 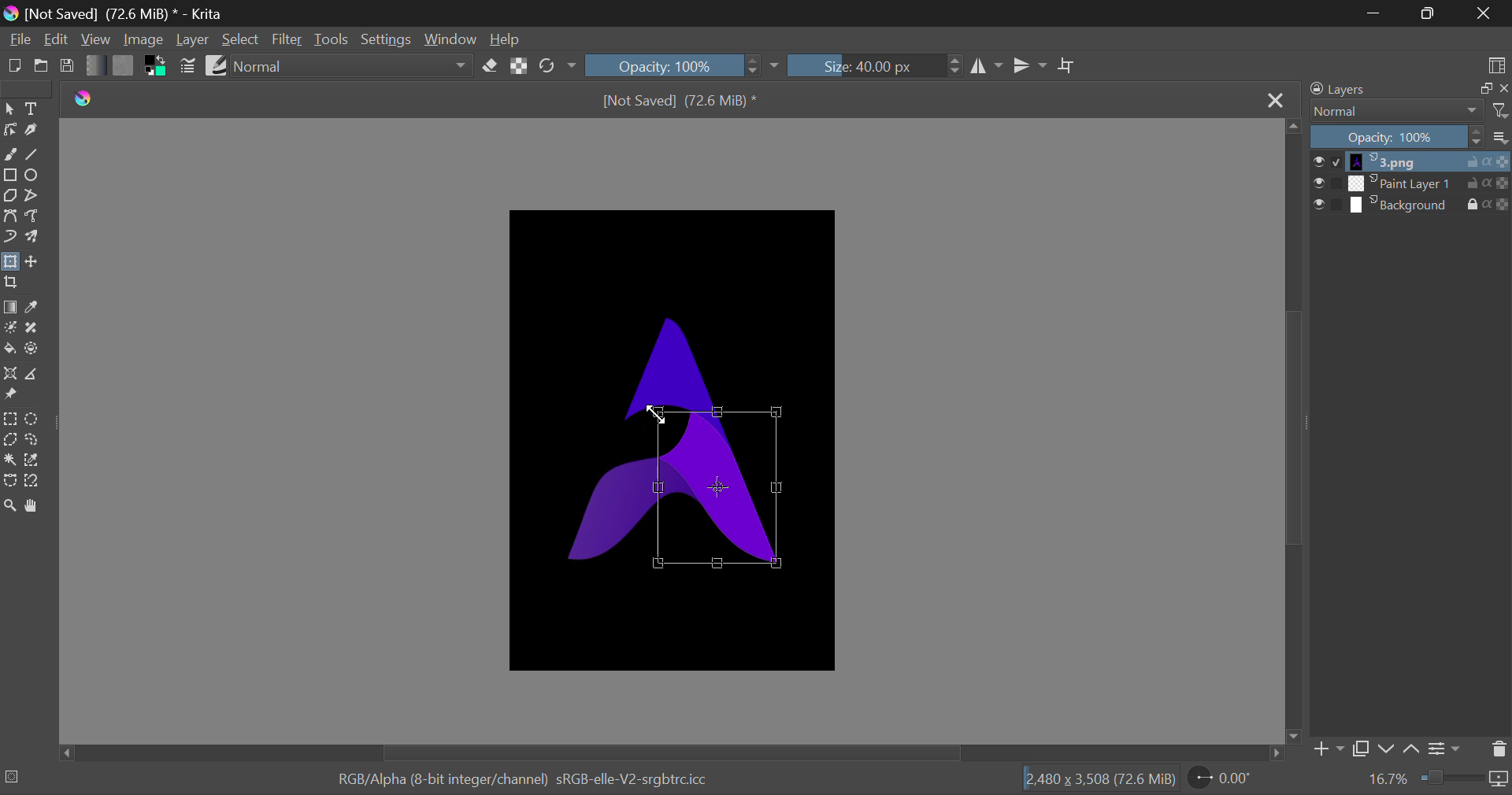 What do you see at coordinates (13, 15) in the screenshot?
I see `logo` at bounding box center [13, 15].